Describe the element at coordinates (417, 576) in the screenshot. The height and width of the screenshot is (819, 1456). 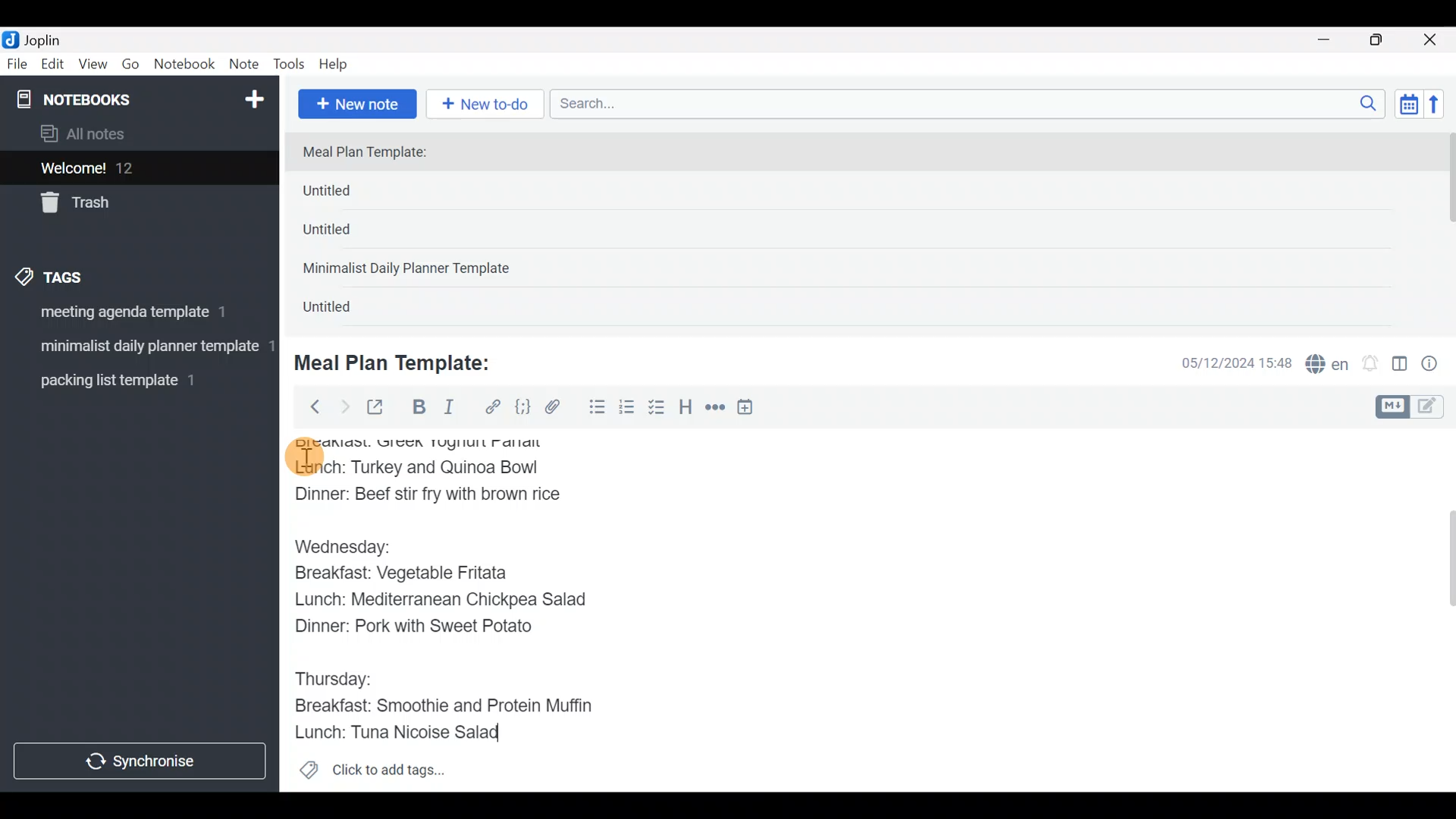
I see `Breakfast: Vegetable Fritata` at that location.